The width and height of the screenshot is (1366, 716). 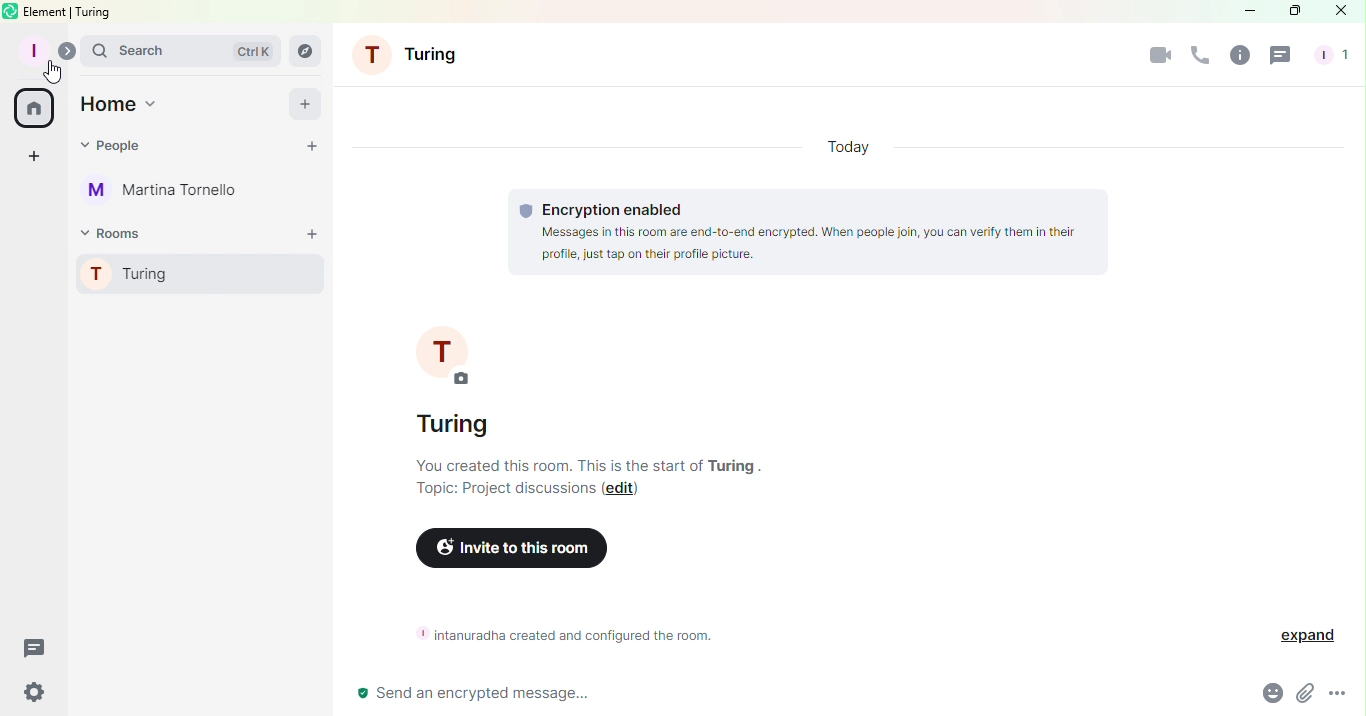 What do you see at coordinates (1242, 10) in the screenshot?
I see `Minimize` at bounding box center [1242, 10].